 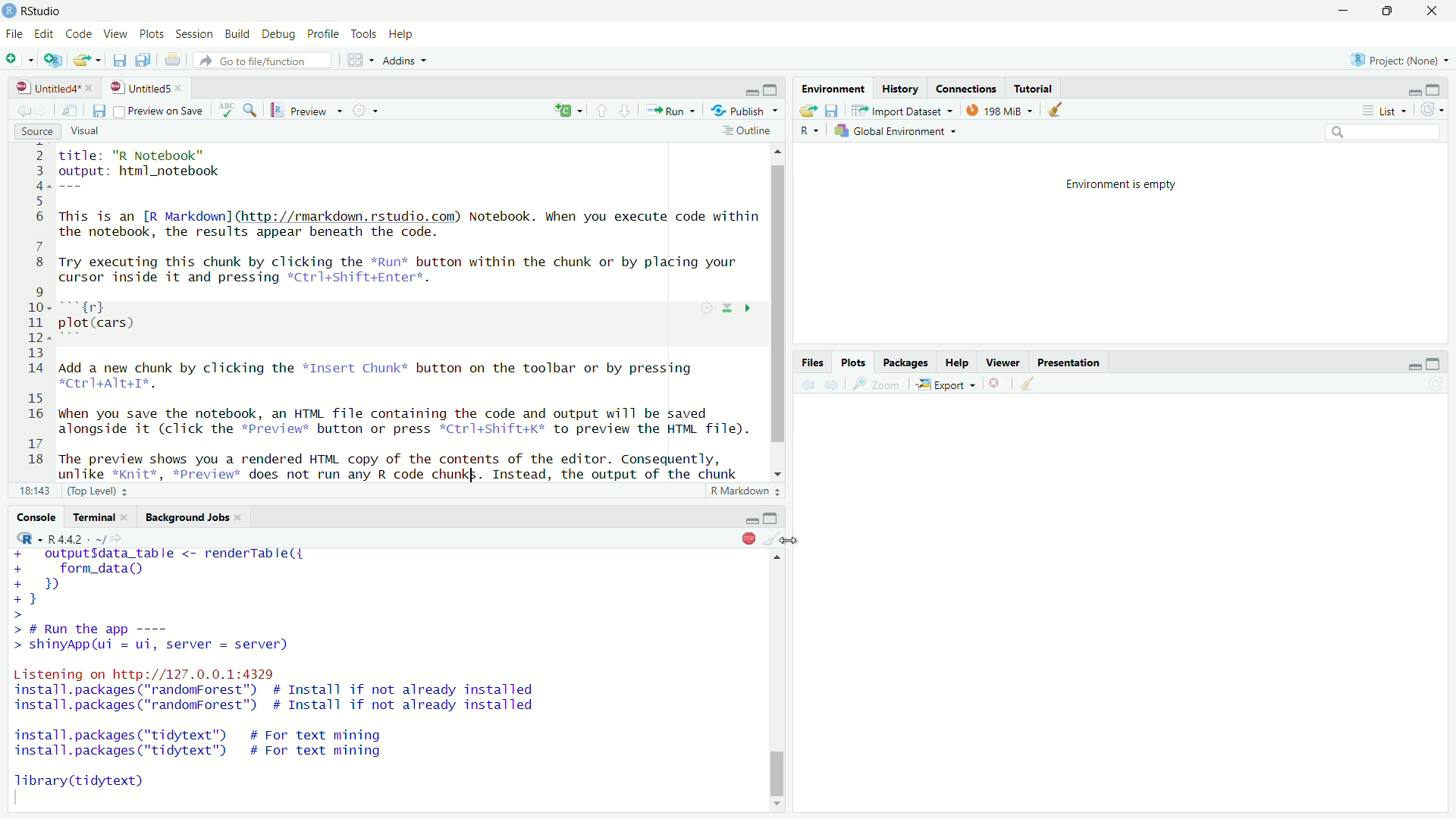 I want to click on close, so click(x=92, y=88).